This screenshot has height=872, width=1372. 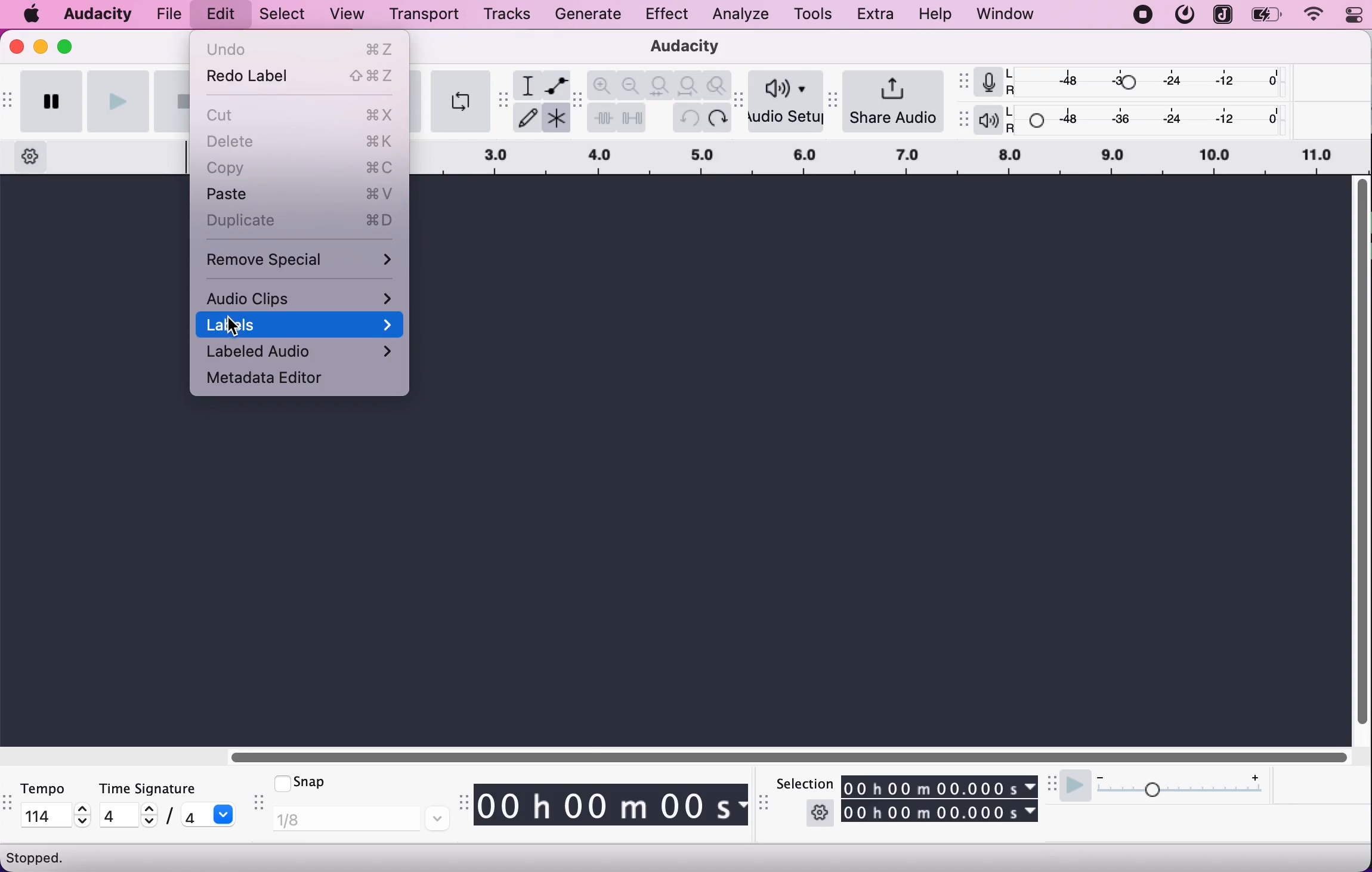 What do you see at coordinates (1100, 774) in the screenshot?
I see `decrease` at bounding box center [1100, 774].